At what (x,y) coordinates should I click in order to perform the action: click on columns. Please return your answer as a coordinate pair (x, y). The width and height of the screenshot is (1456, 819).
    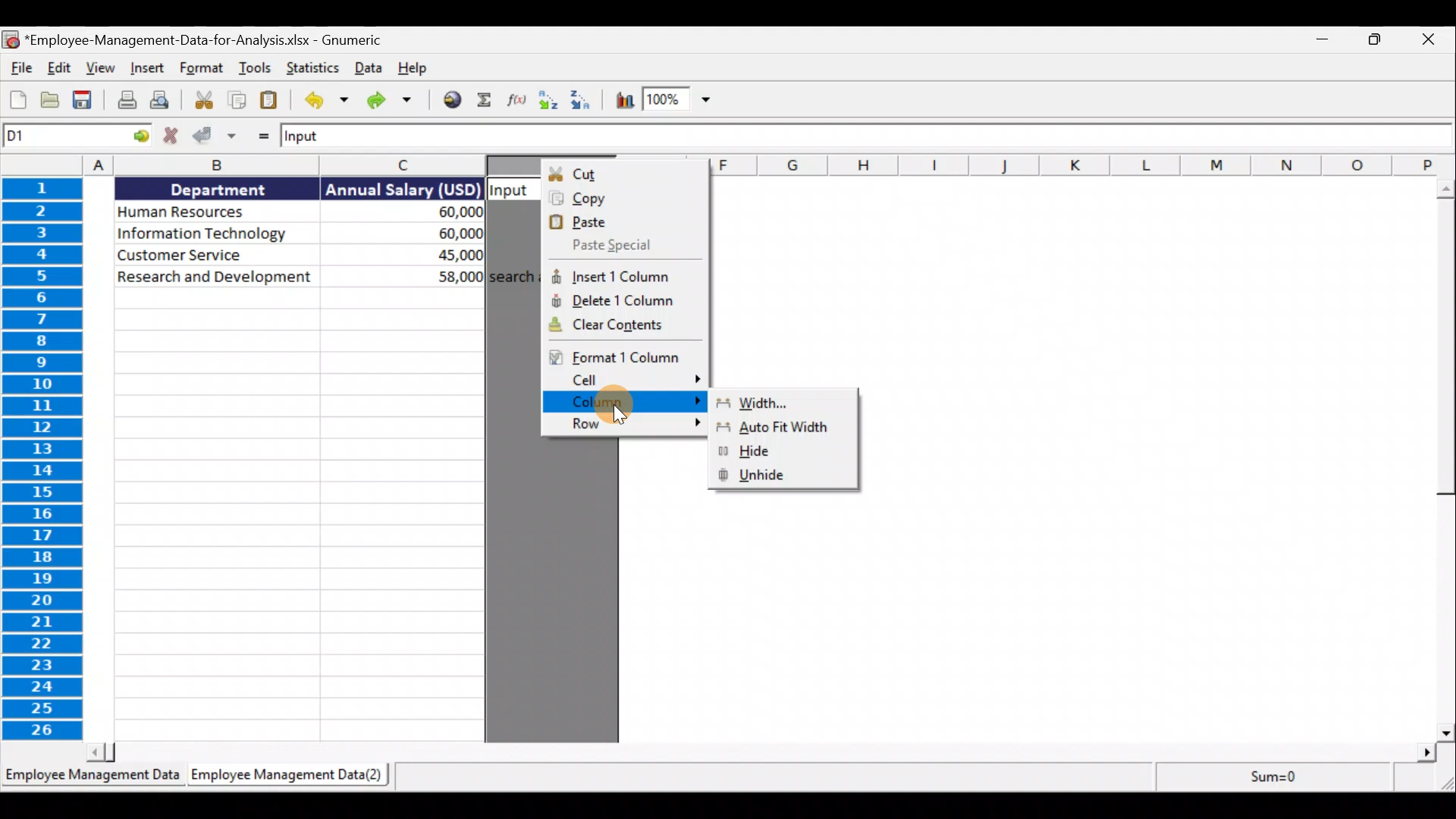
    Looking at the image, I should click on (1084, 164).